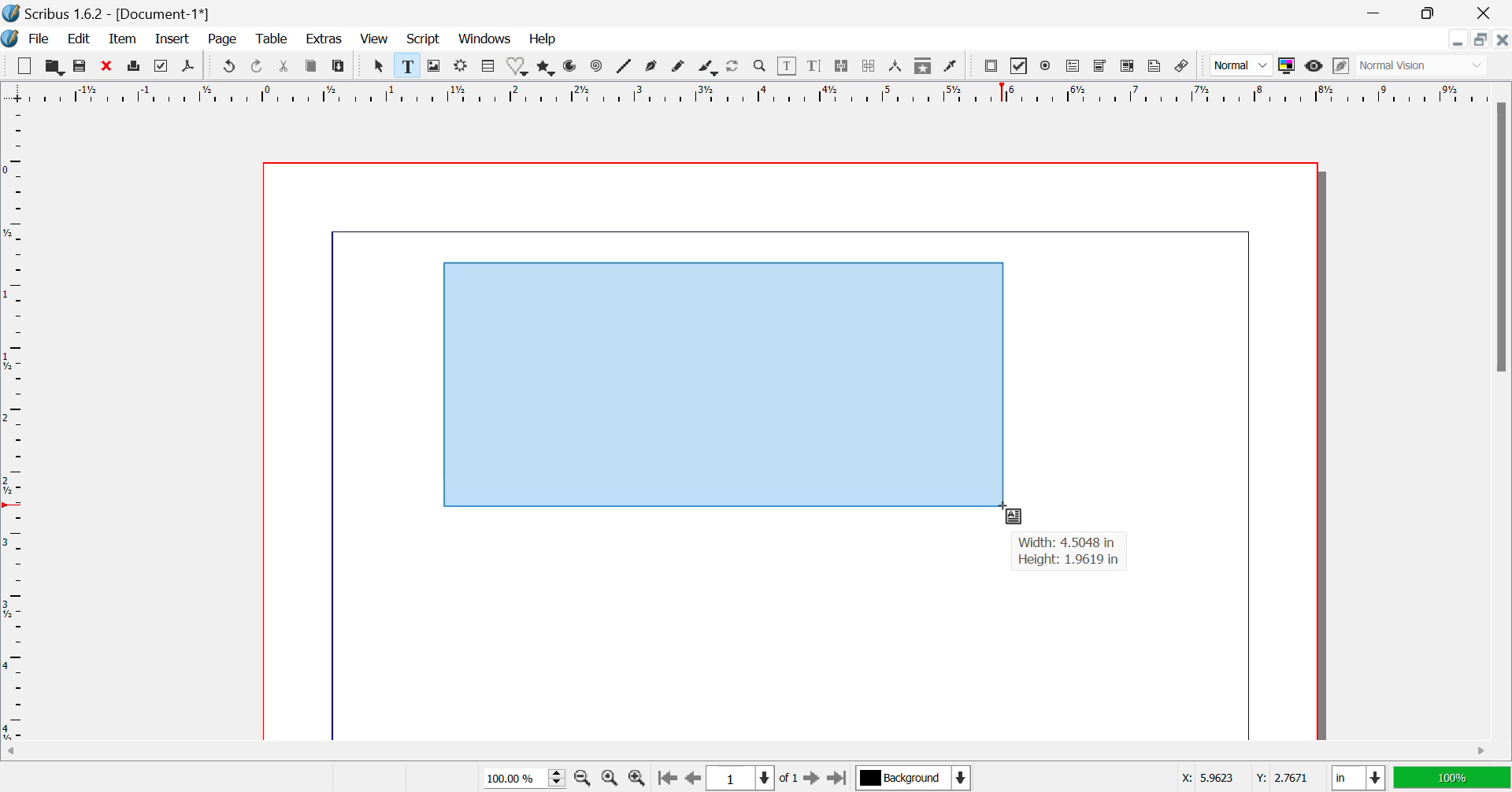 This screenshot has height=792, width=1512. I want to click on Pdf List box, so click(1125, 67).